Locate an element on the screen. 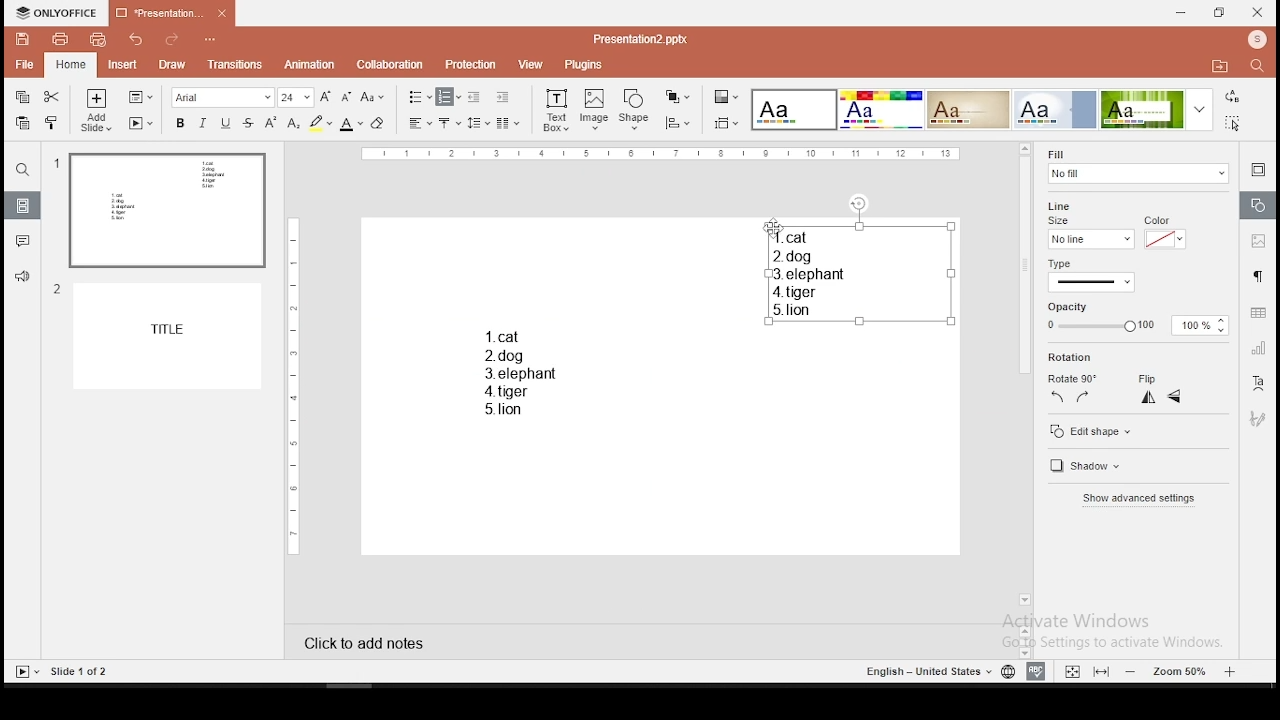 The image size is (1280, 720). collaboration is located at coordinates (390, 65).